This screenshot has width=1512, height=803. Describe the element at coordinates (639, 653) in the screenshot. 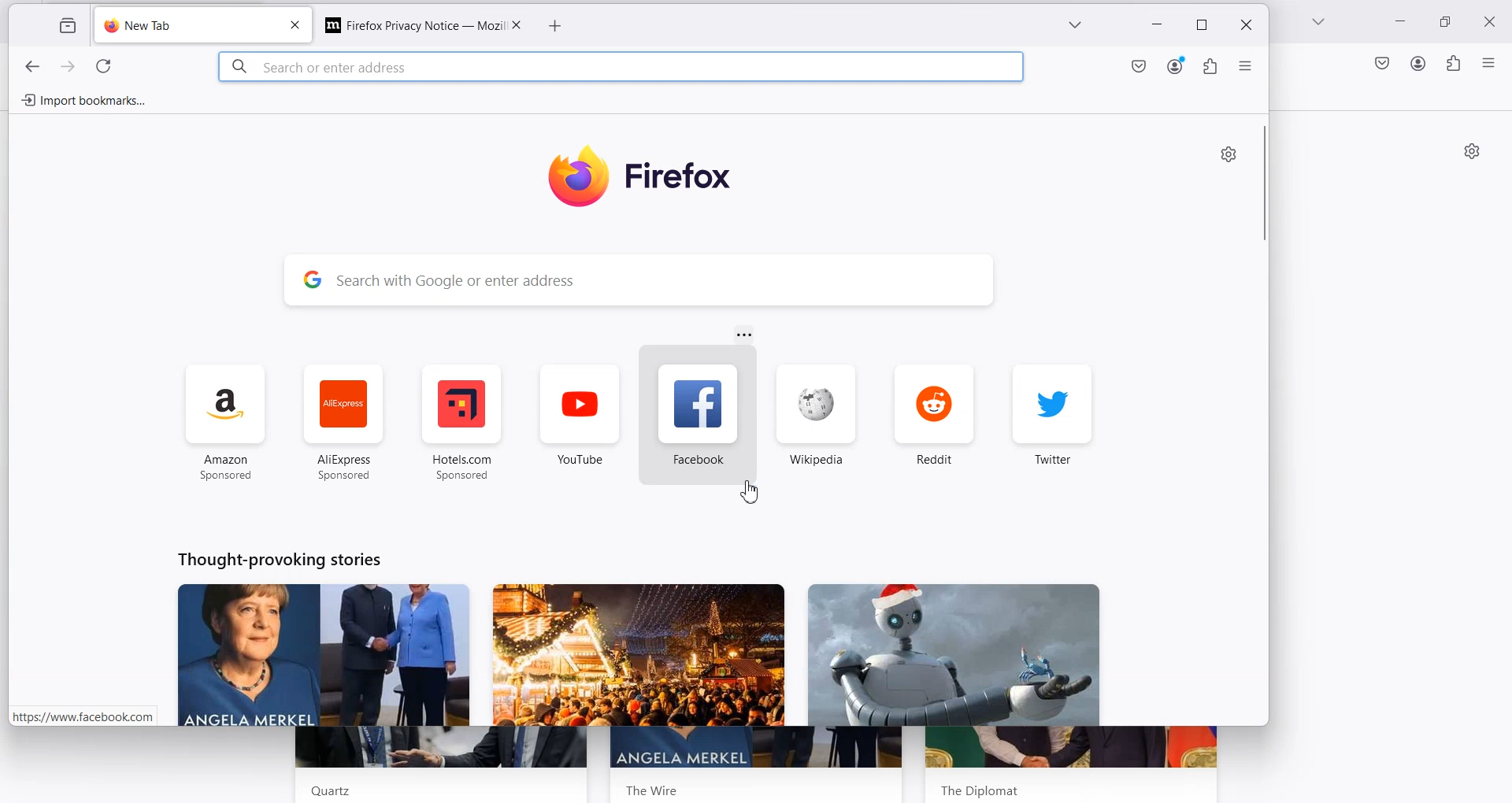

I see `news 2` at that location.